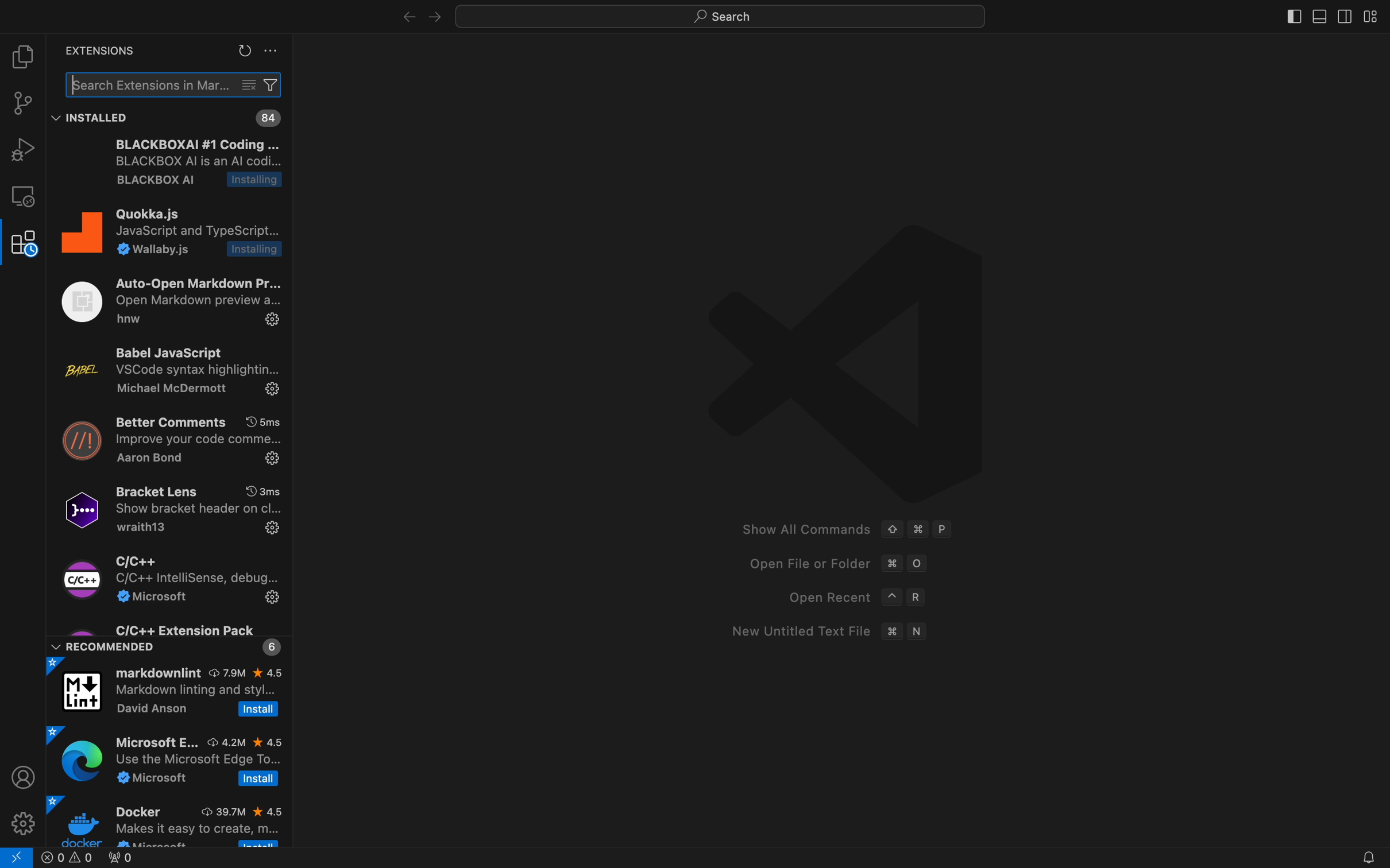 The width and height of the screenshot is (1390, 868). What do you see at coordinates (272, 53) in the screenshot?
I see `settings` at bounding box center [272, 53].